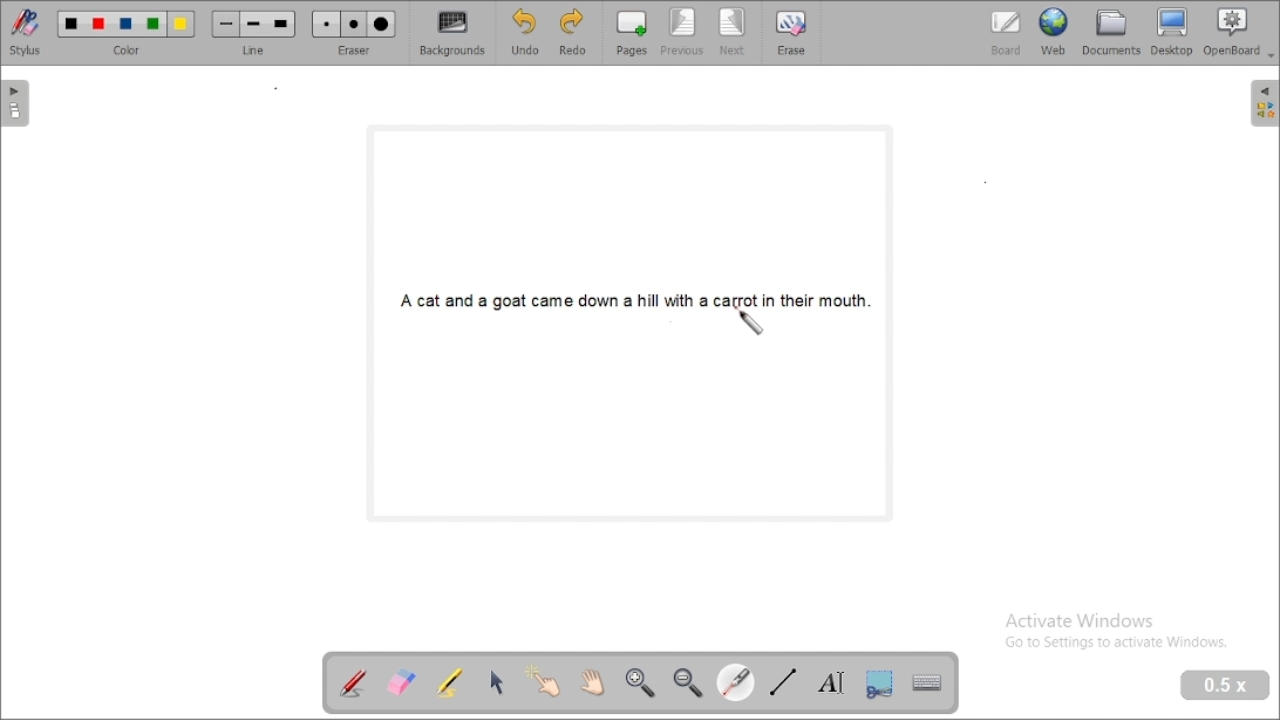 The height and width of the screenshot is (720, 1280). Describe the element at coordinates (18, 103) in the screenshot. I see `pages pane` at that location.